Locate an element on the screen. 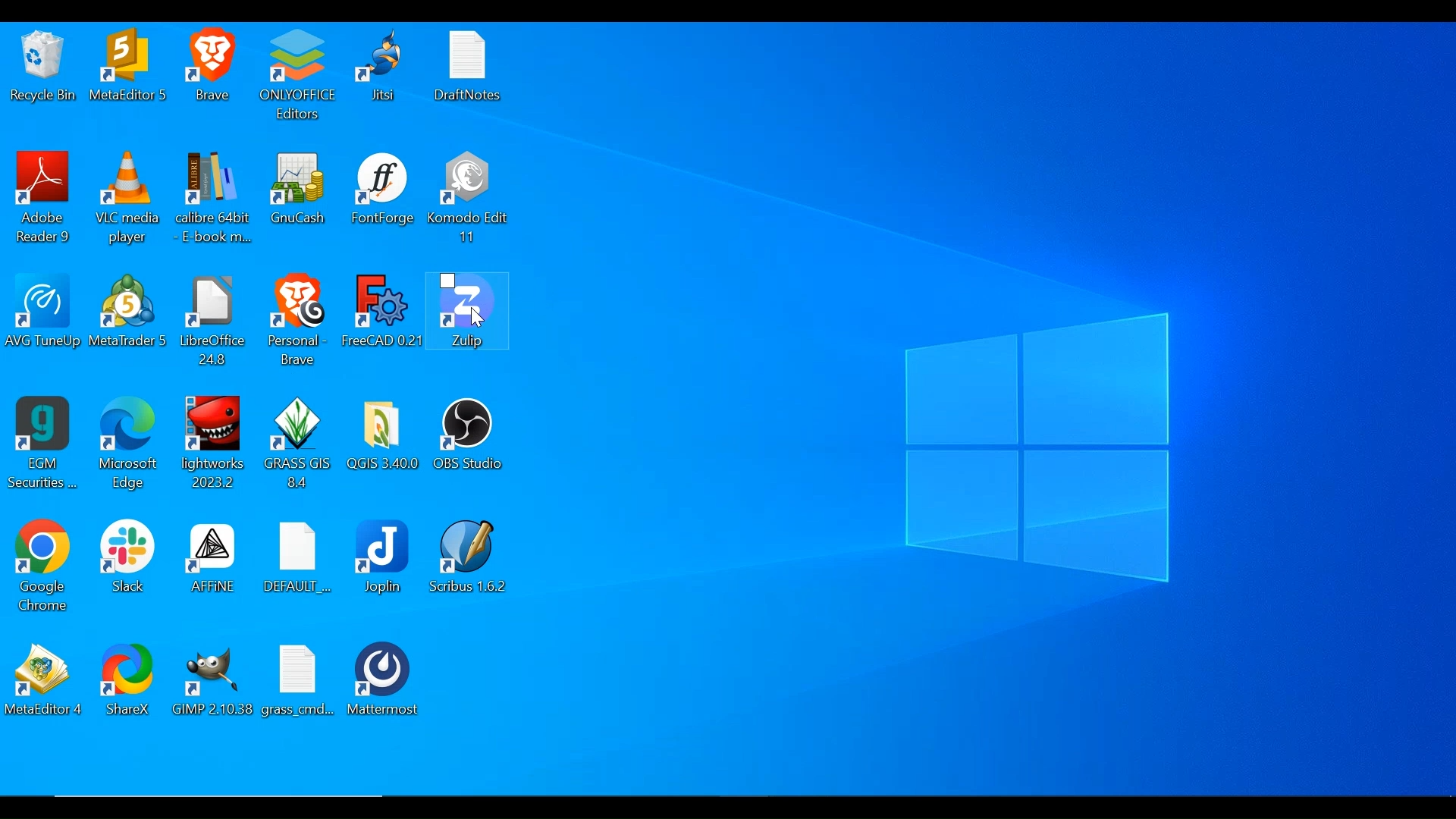 Image resolution: width=1456 pixels, height=819 pixels. Fontforge Desktop icon is located at coordinates (383, 188).